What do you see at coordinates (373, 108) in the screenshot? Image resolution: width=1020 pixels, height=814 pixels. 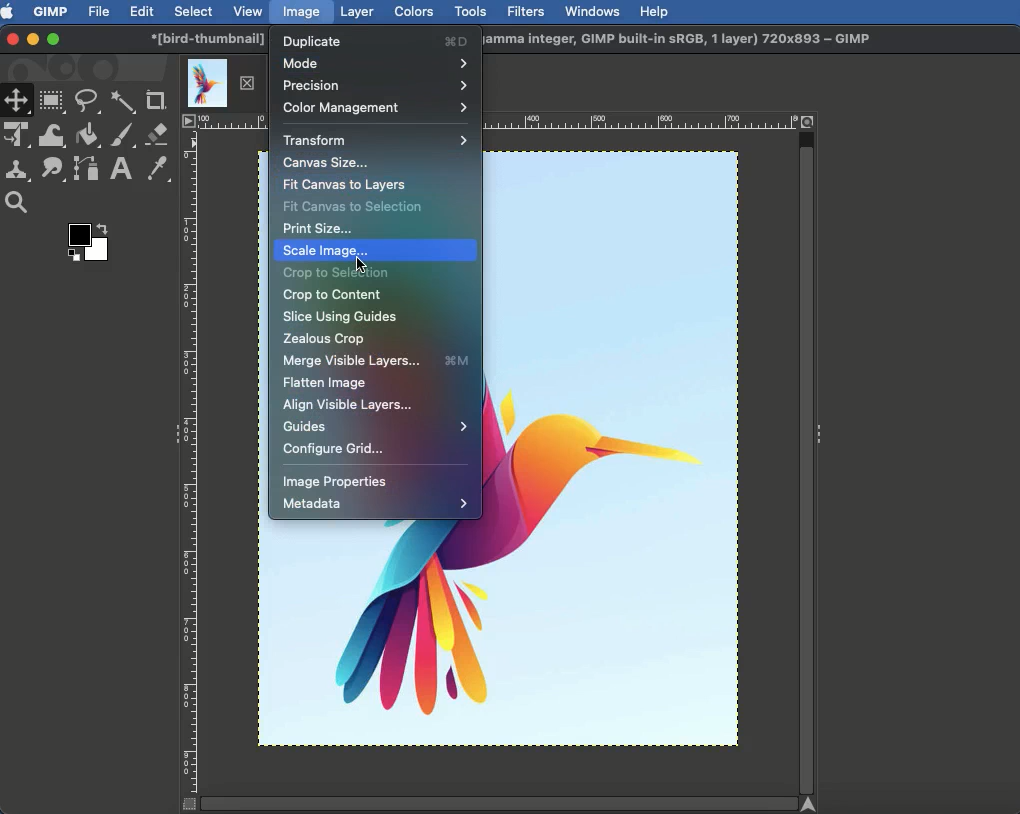 I see `Color management` at bounding box center [373, 108].